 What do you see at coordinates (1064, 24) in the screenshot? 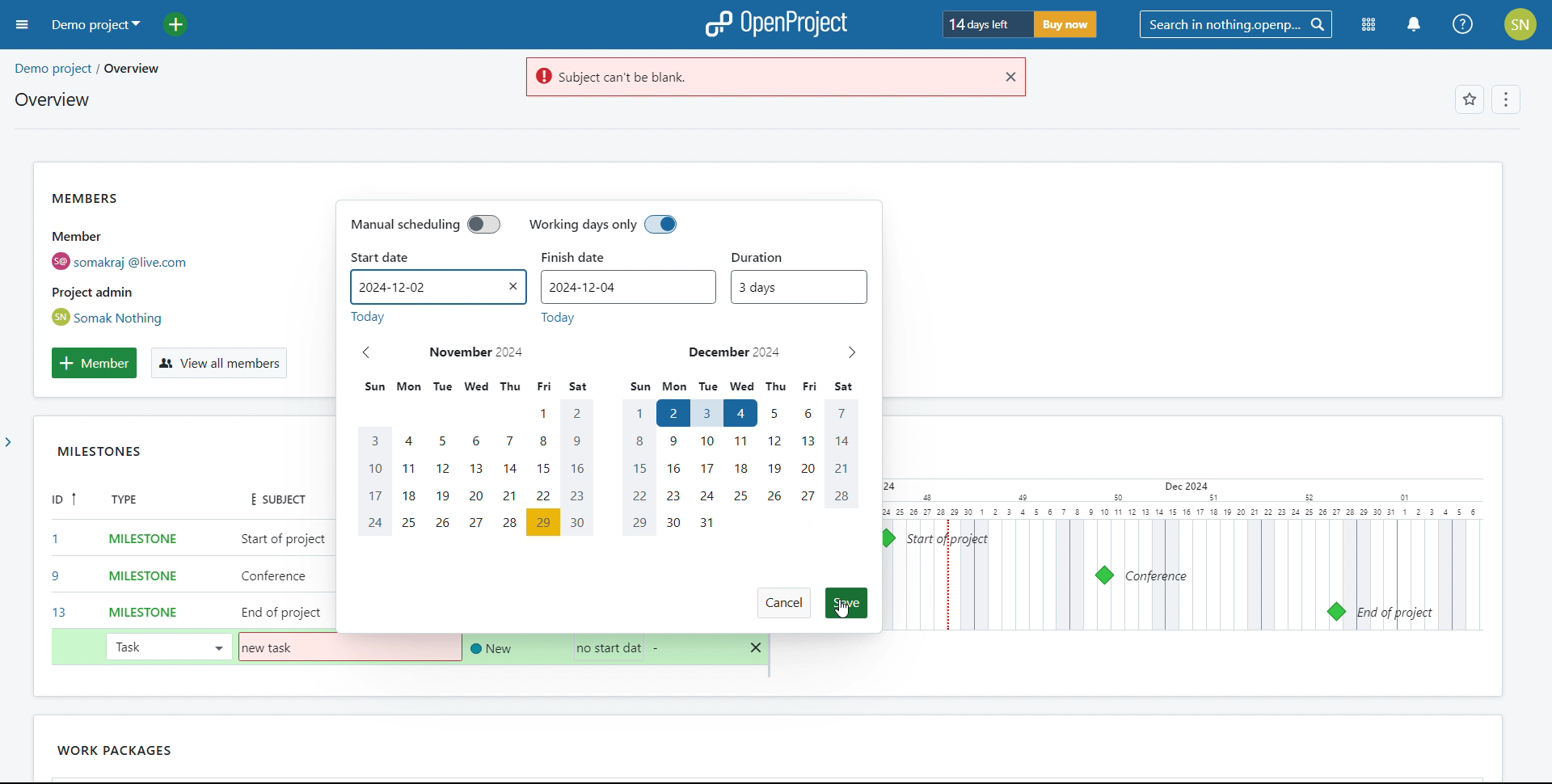
I see `buy now` at bounding box center [1064, 24].